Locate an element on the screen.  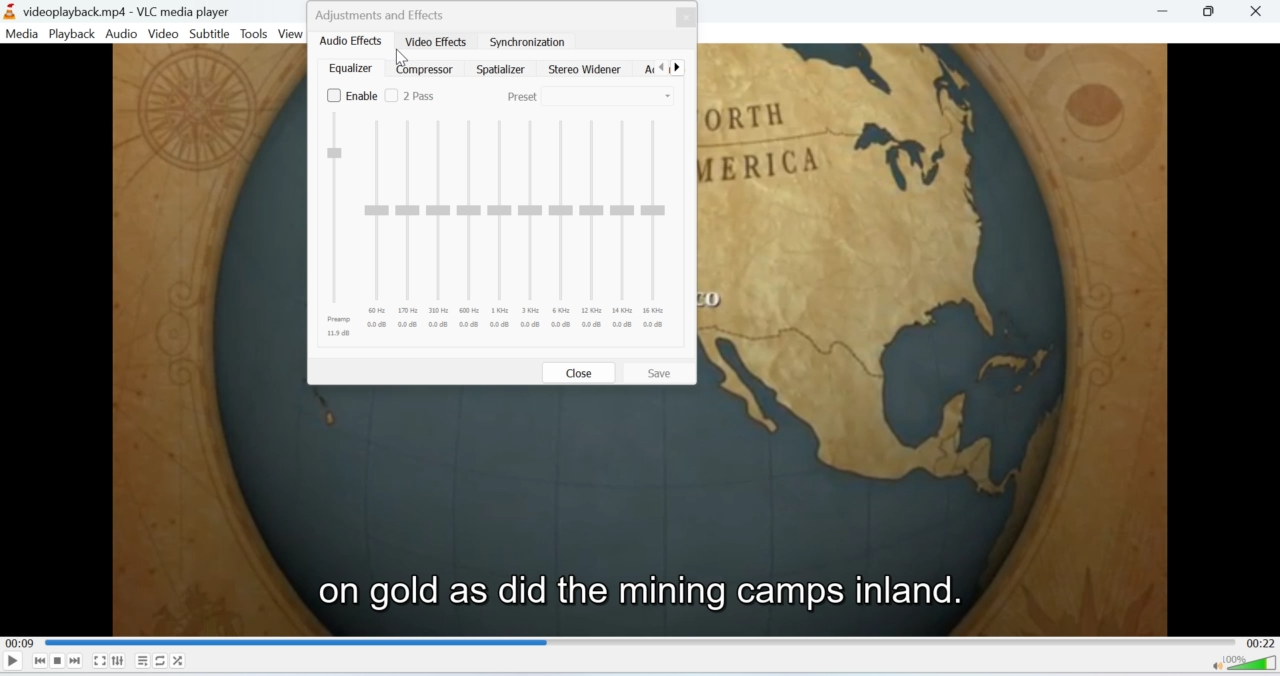
close is located at coordinates (686, 17).